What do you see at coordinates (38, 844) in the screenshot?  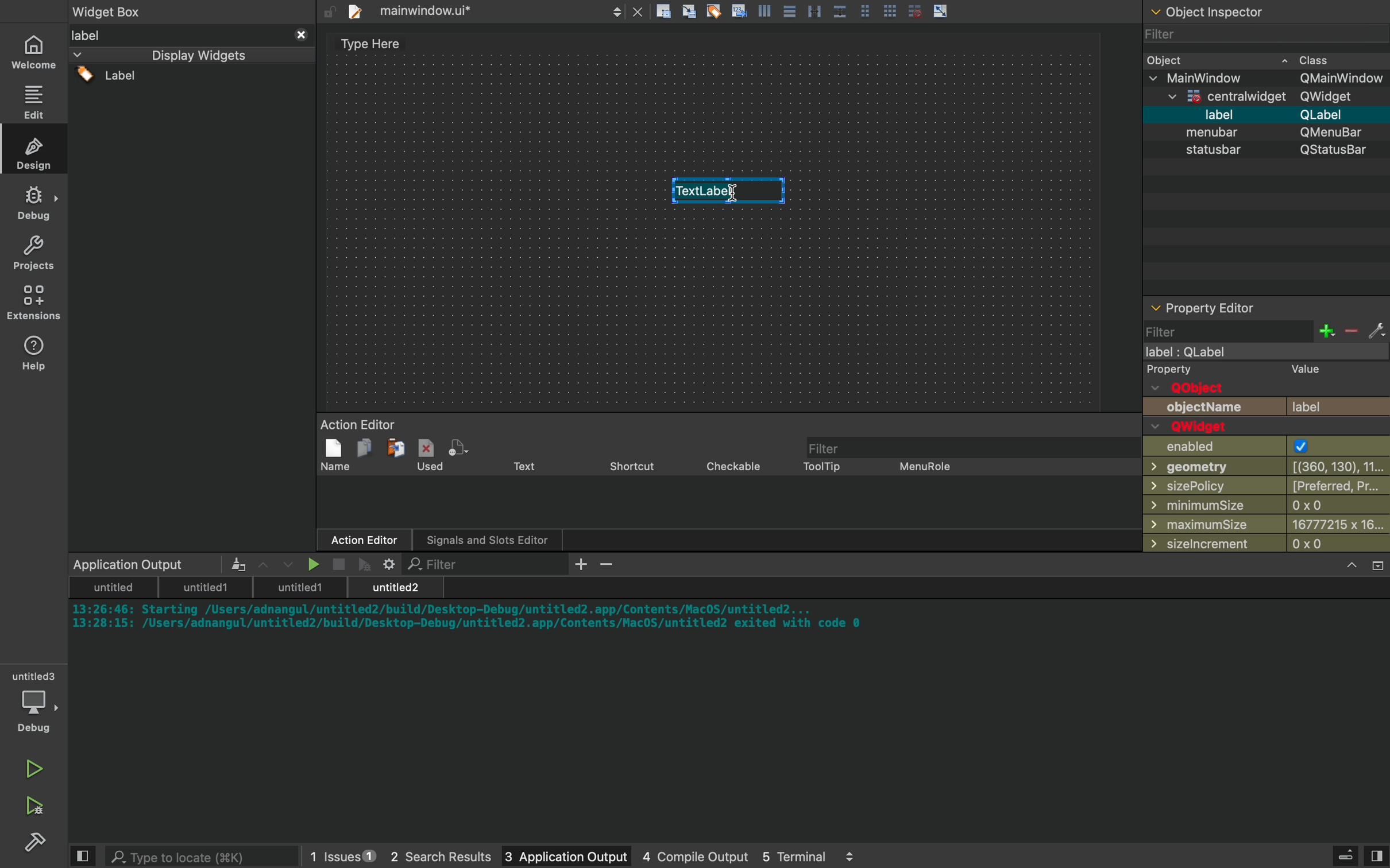 I see `` at bounding box center [38, 844].